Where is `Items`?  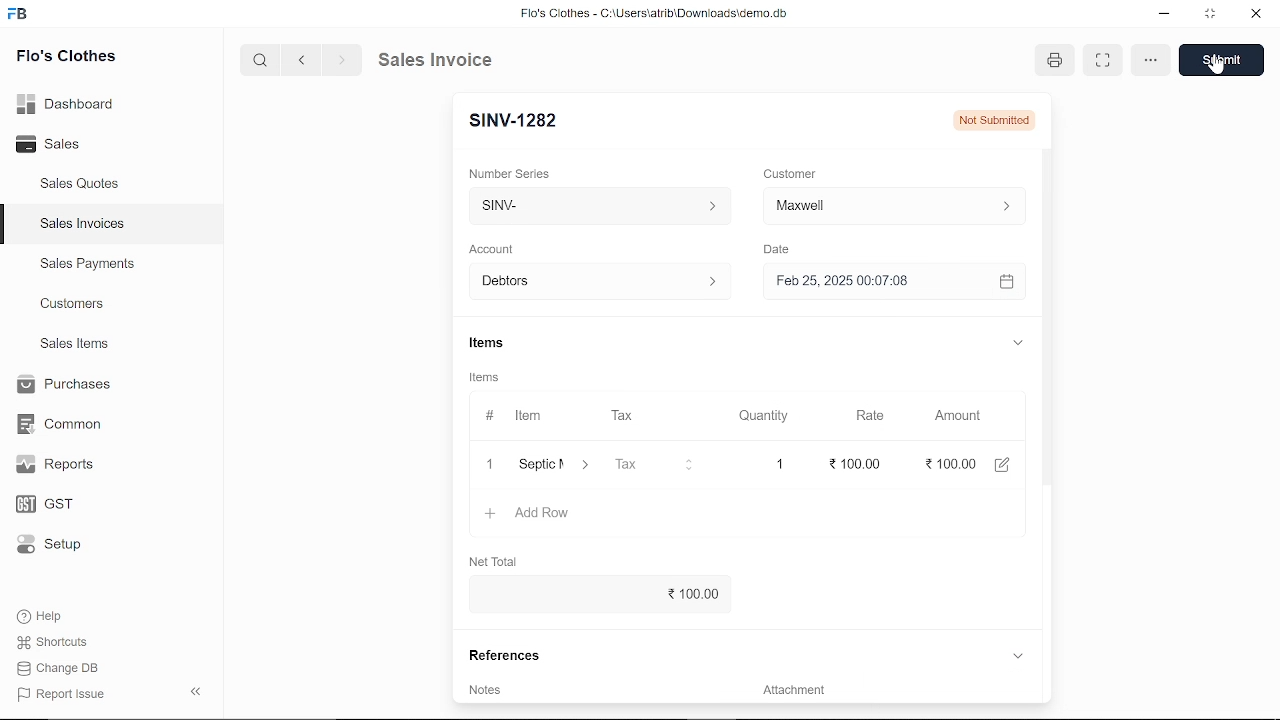
Items is located at coordinates (487, 376).